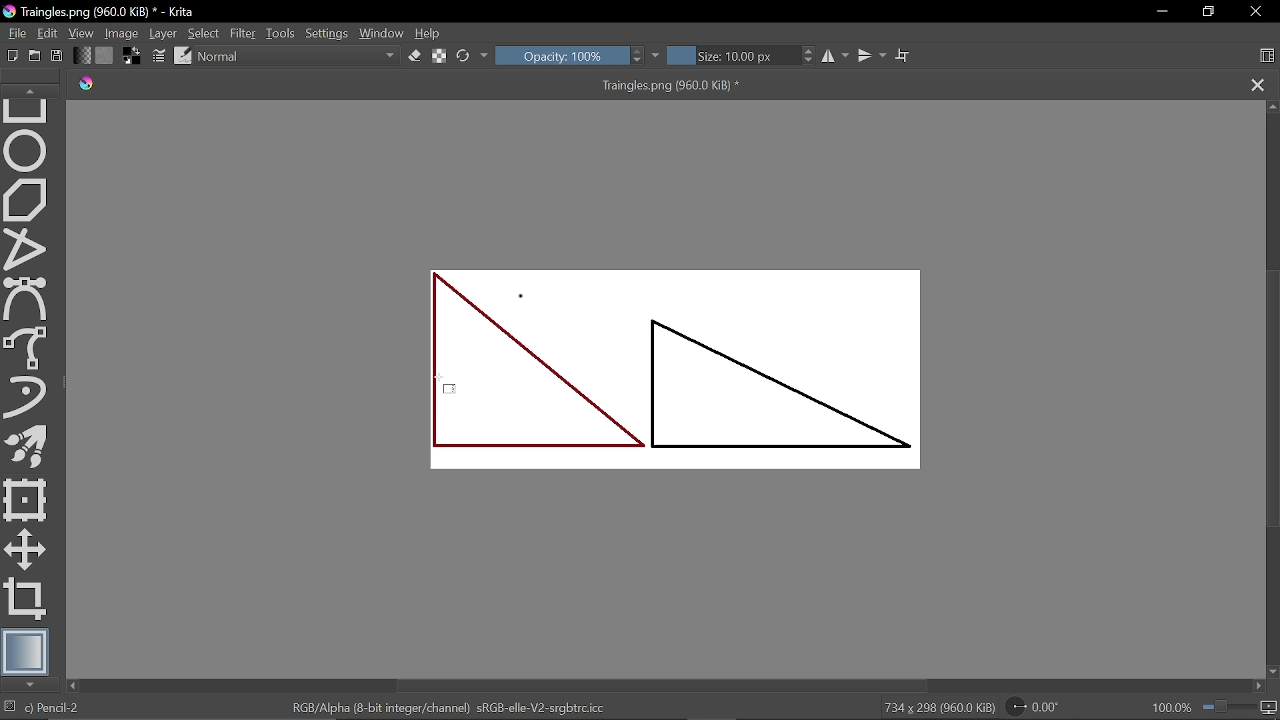 The width and height of the screenshot is (1280, 720). What do you see at coordinates (1211, 11) in the screenshot?
I see `restore down` at bounding box center [1211, 11].